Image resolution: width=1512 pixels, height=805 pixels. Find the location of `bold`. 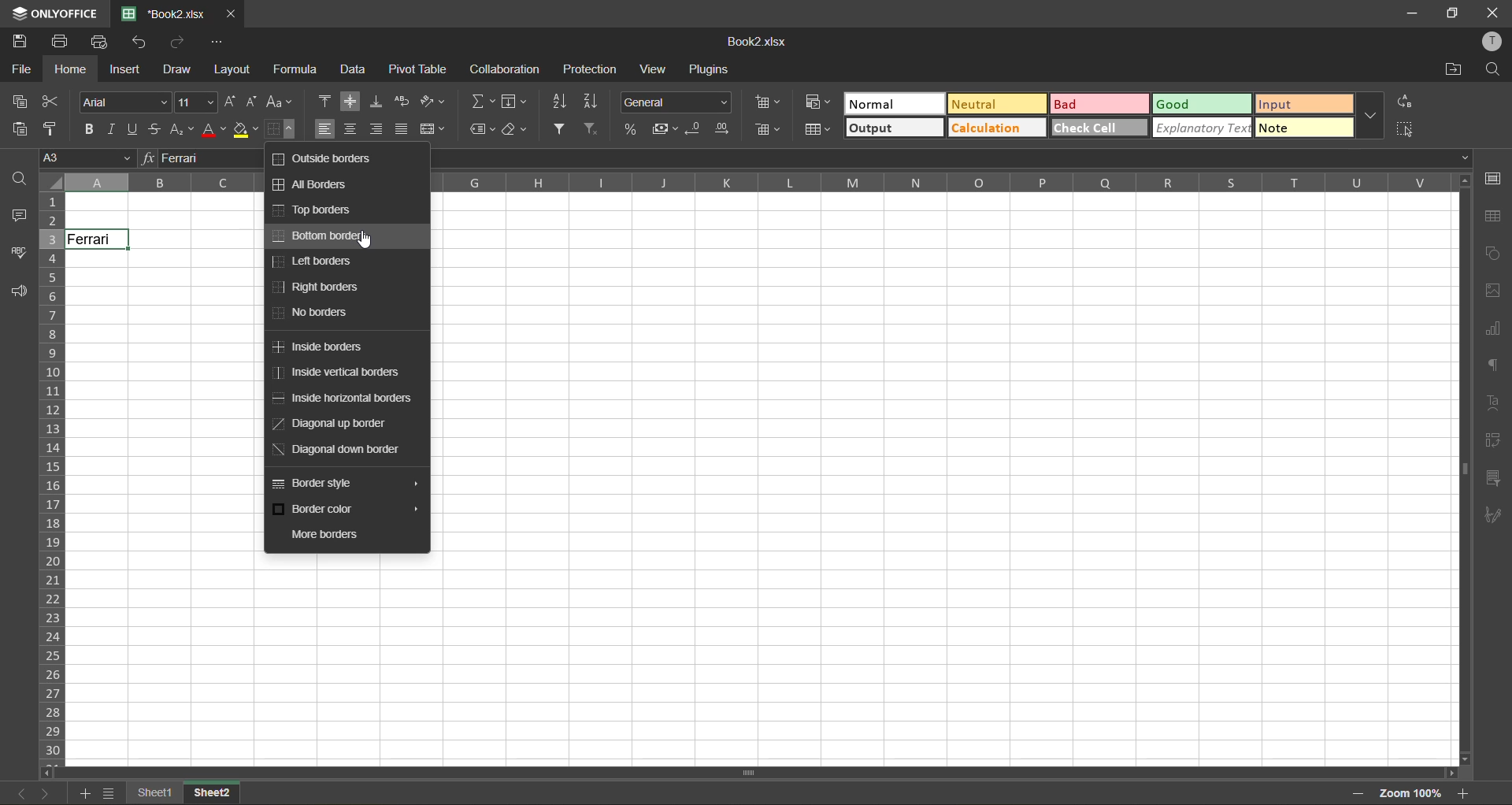

bold is located at coordinates (87, 129).